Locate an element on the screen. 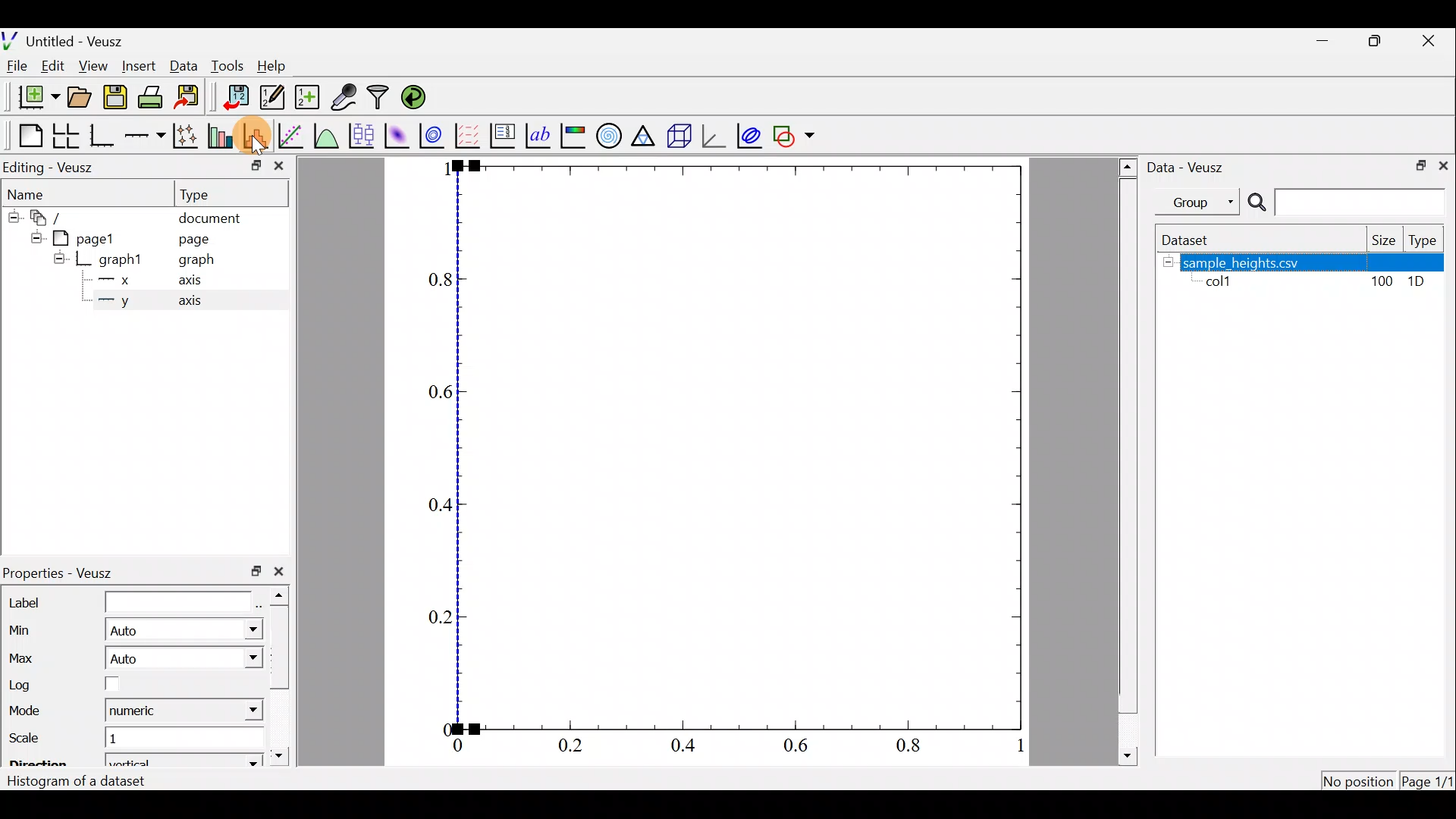 The image size is (1456, 819). hide is located at coordinates (1168, 262).